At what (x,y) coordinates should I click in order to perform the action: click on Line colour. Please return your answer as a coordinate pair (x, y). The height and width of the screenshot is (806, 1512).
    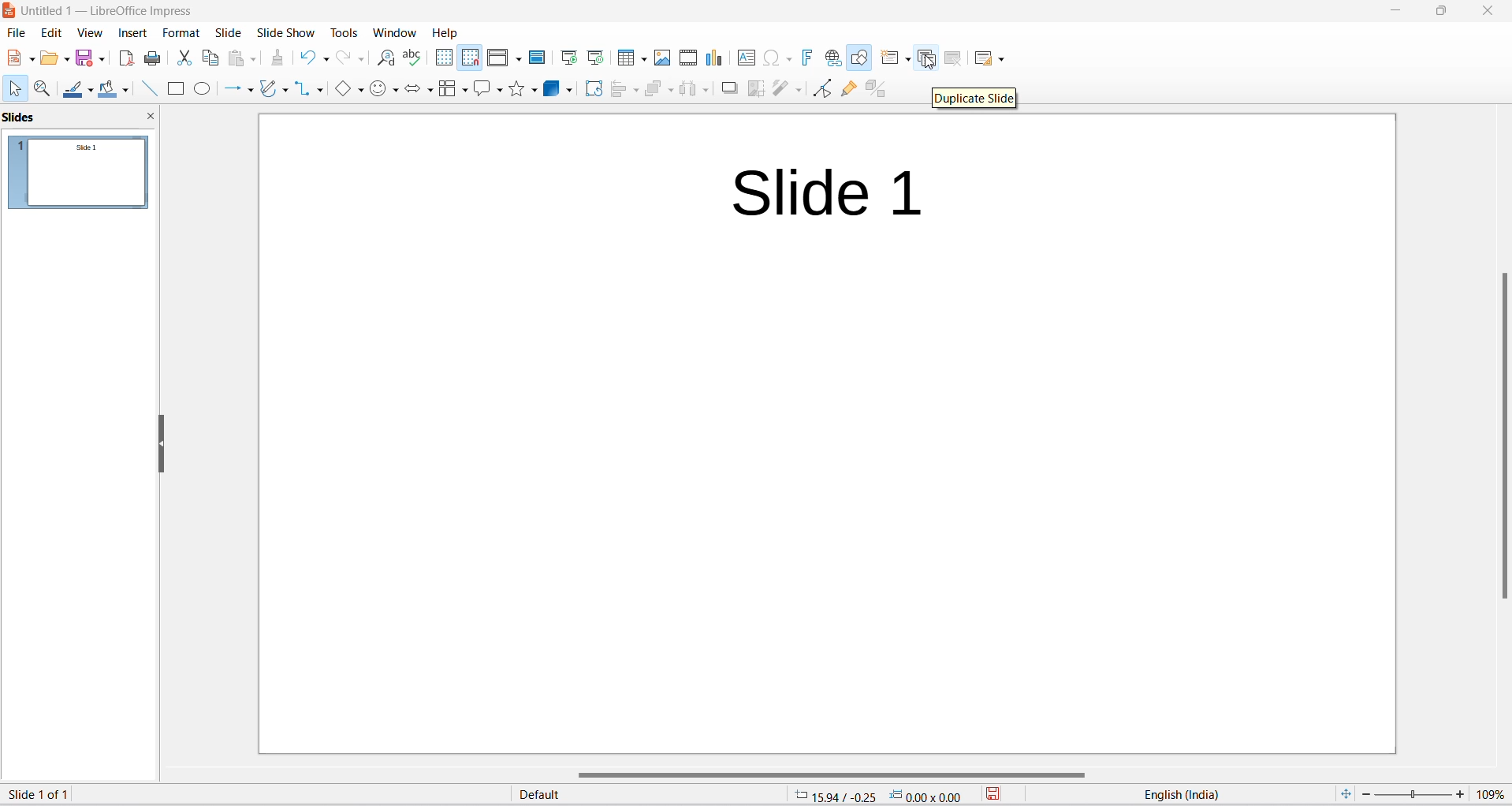
    Looking at the image, I should click on (78, 88).